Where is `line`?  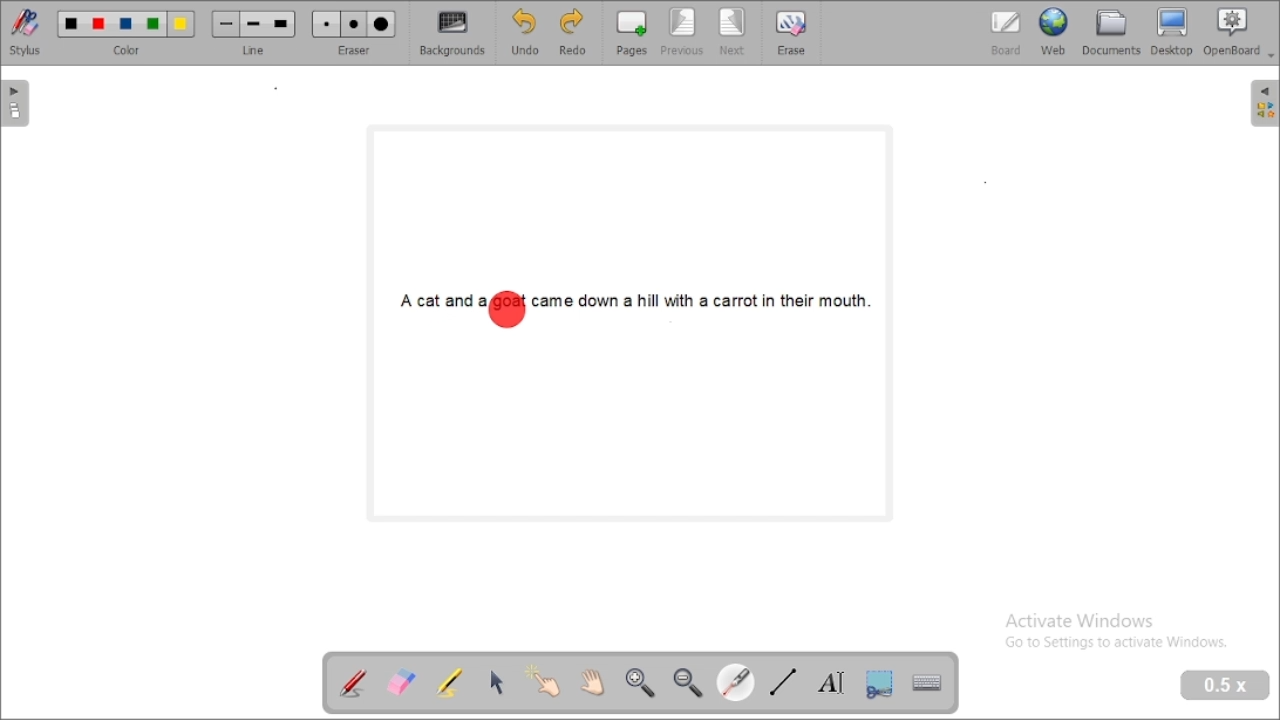
line is located at coordinates (253, 34).